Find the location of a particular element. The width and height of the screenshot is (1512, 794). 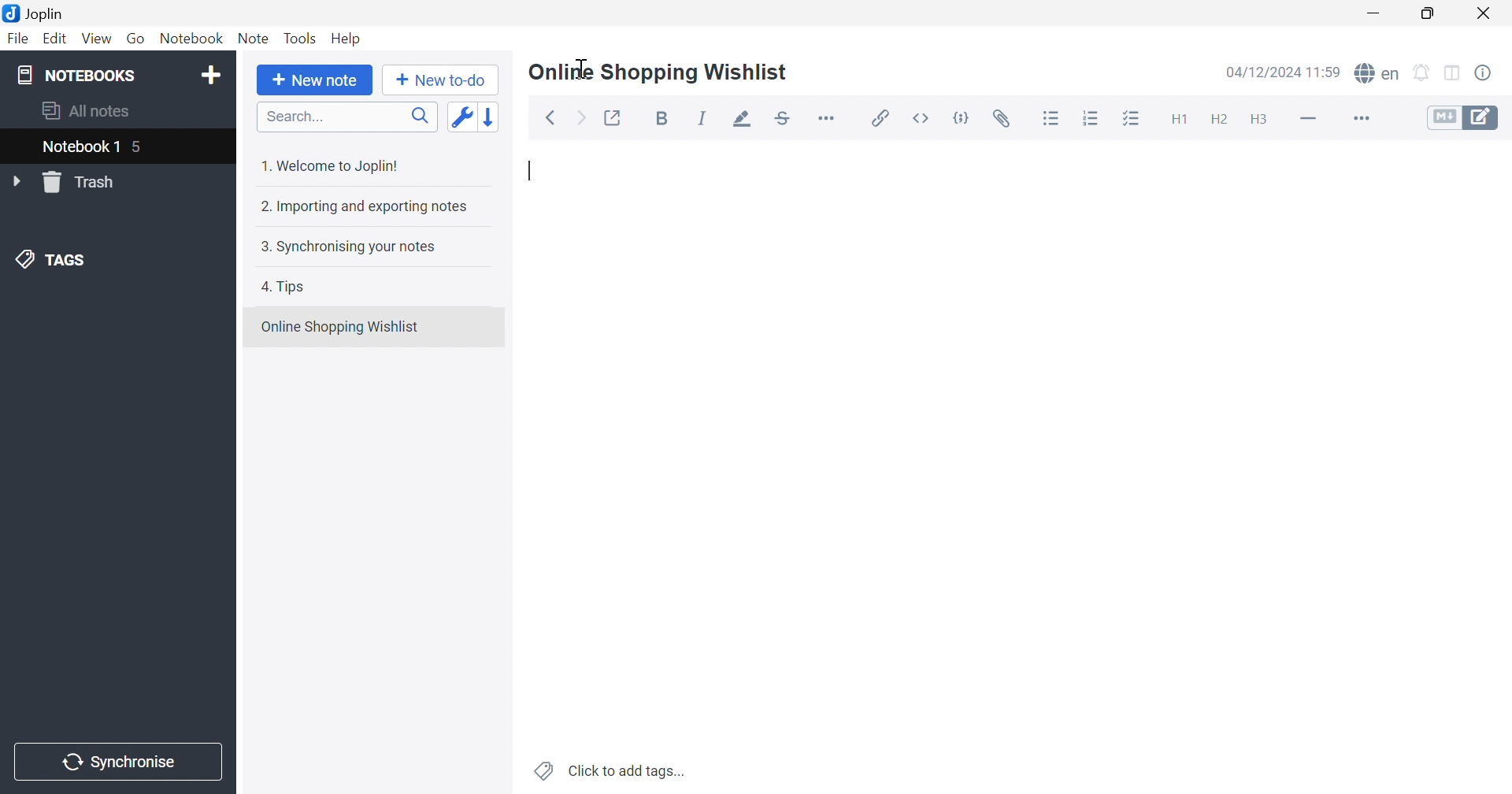

Heading 2 is located at coordinates (1221, 121).